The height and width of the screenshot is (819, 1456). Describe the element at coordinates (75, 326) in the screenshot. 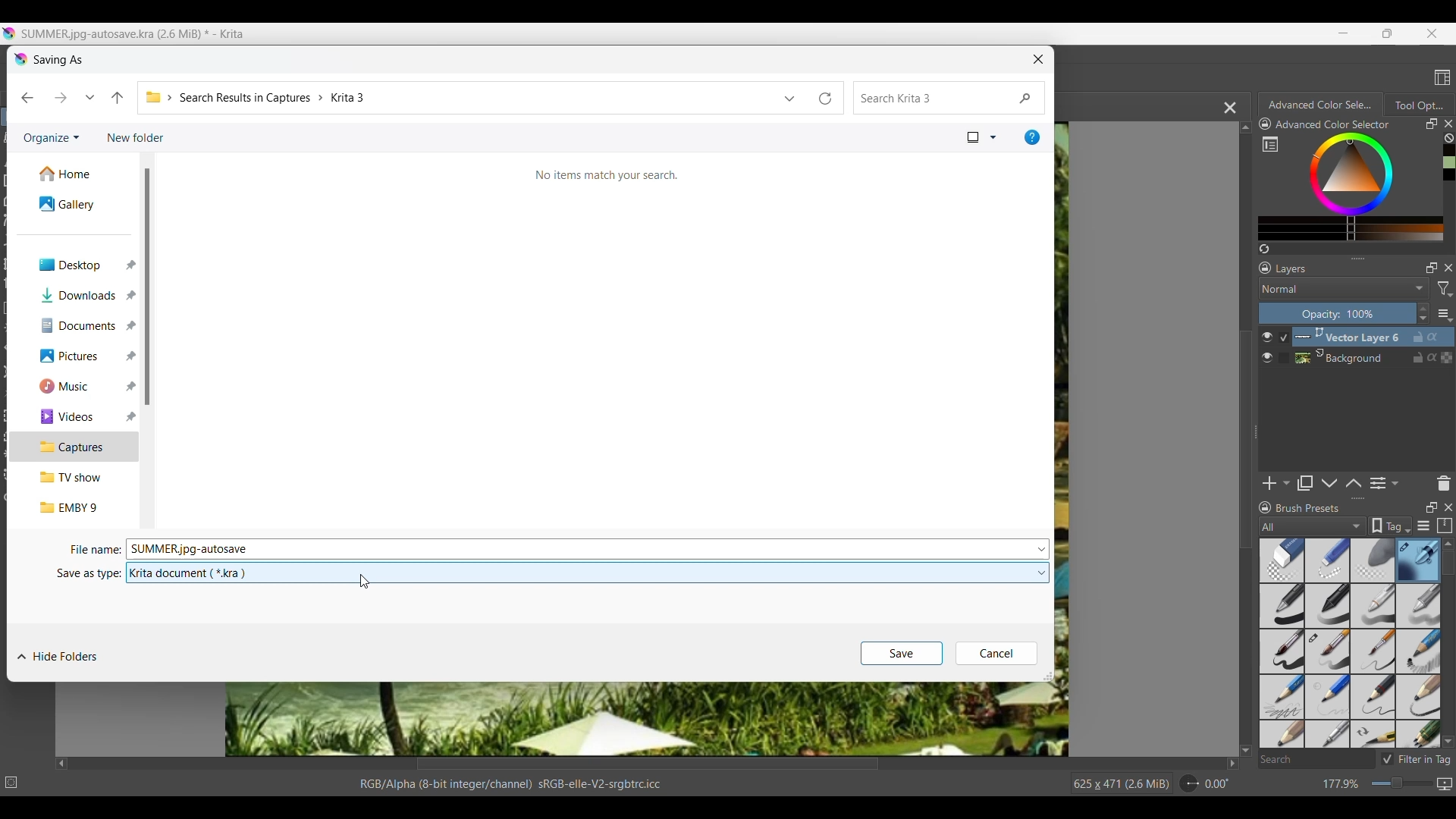

I see `Documents folder` at that location.